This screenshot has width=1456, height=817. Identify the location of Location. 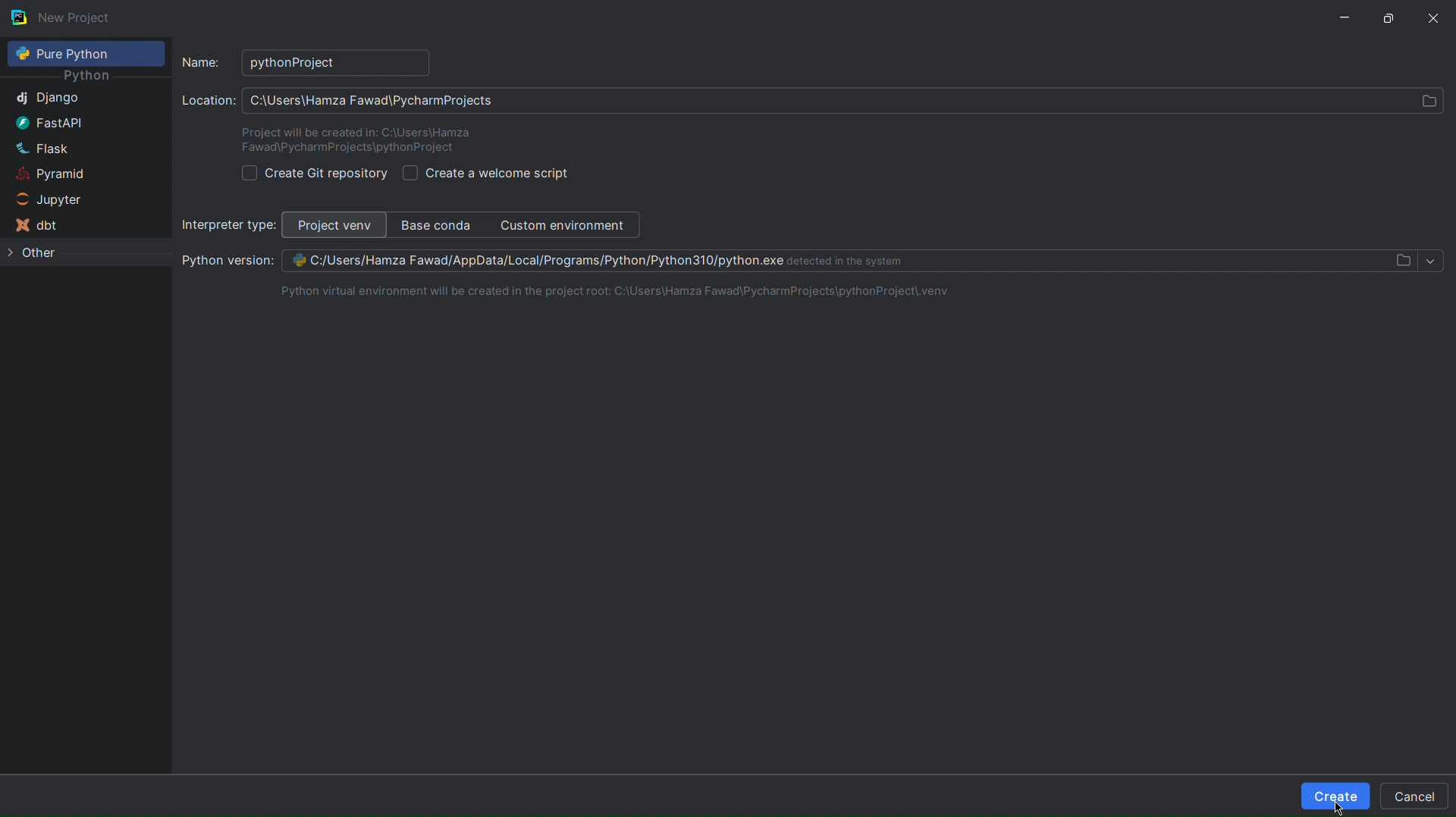
(208, 103).